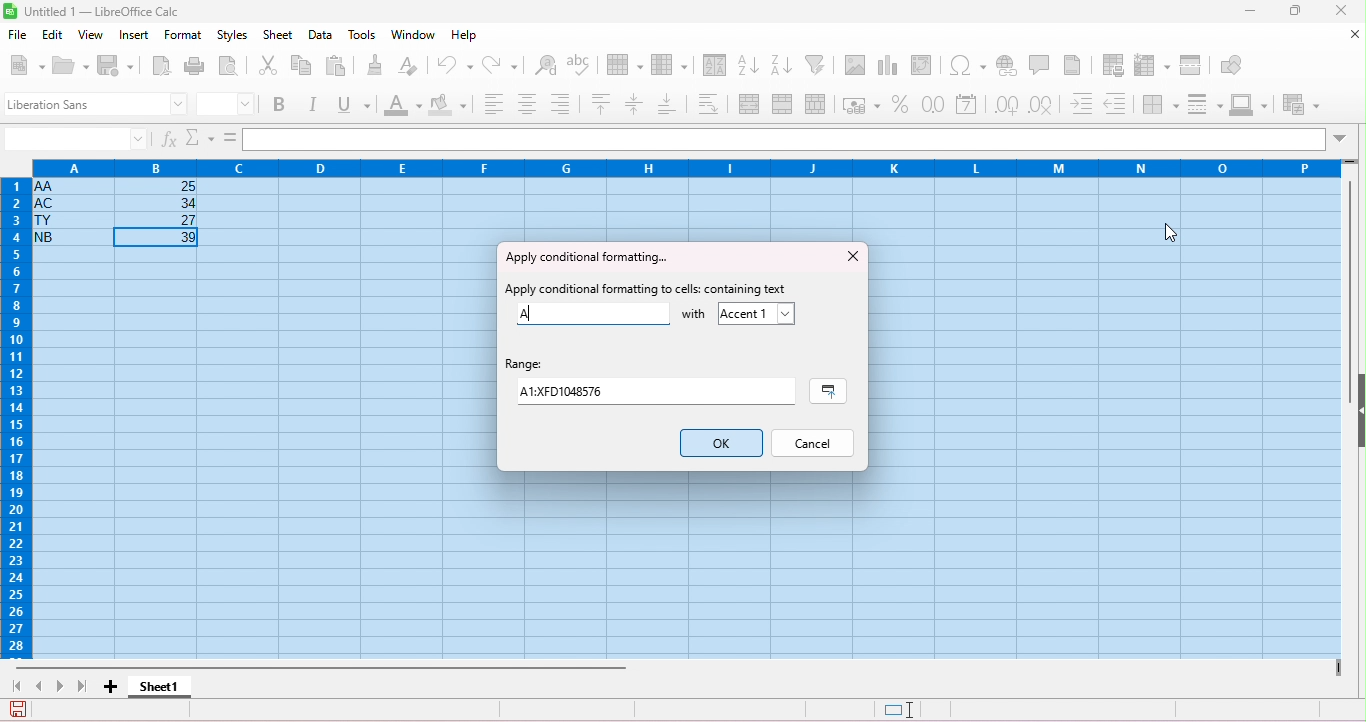  Describe the element at coordinates (18, 35) in the screenshot. I see `file` at that location.